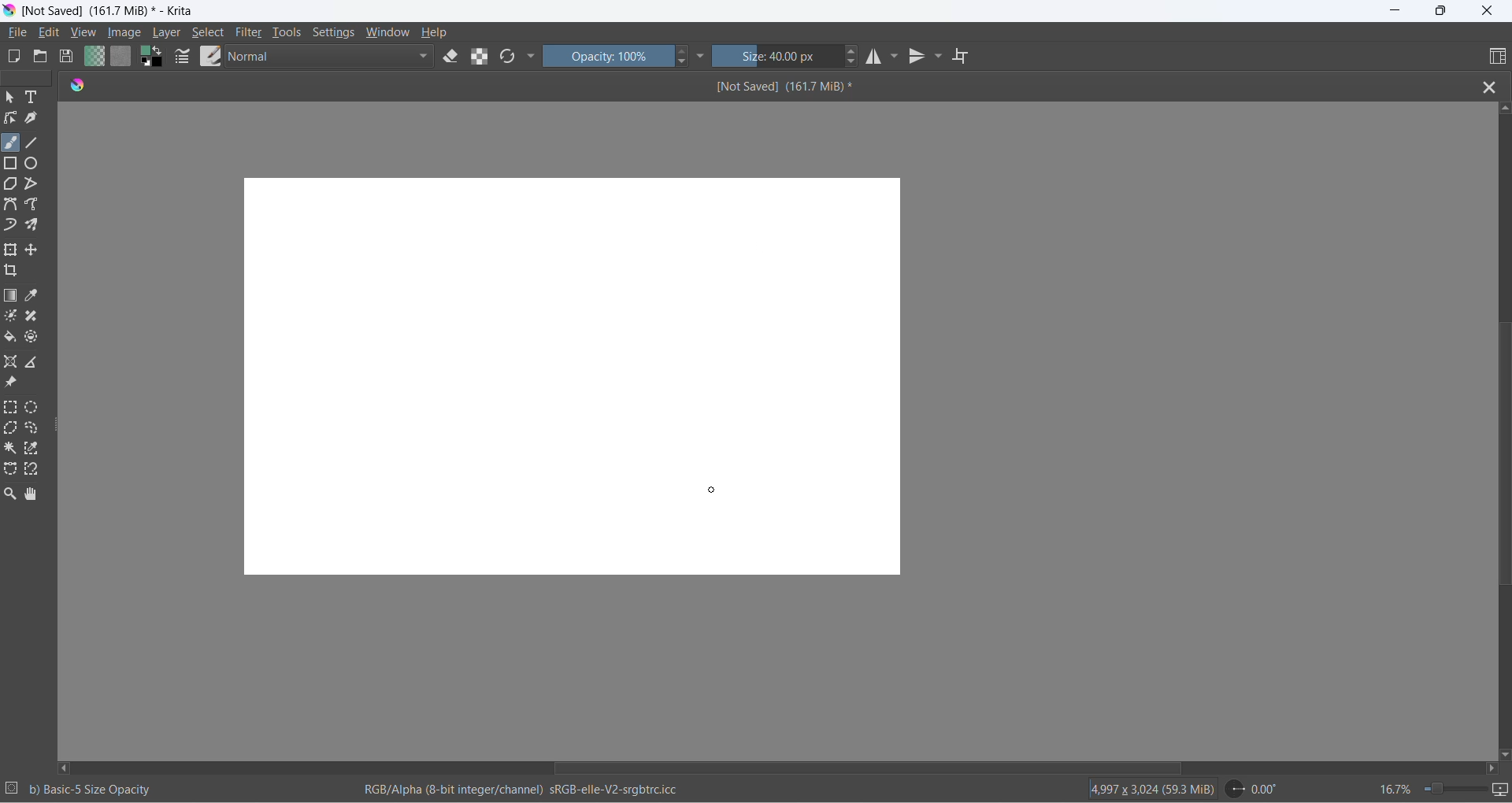  Describe the element at coordinates (1503, 107) in the screenshot. I see `scroll up button` at that location.